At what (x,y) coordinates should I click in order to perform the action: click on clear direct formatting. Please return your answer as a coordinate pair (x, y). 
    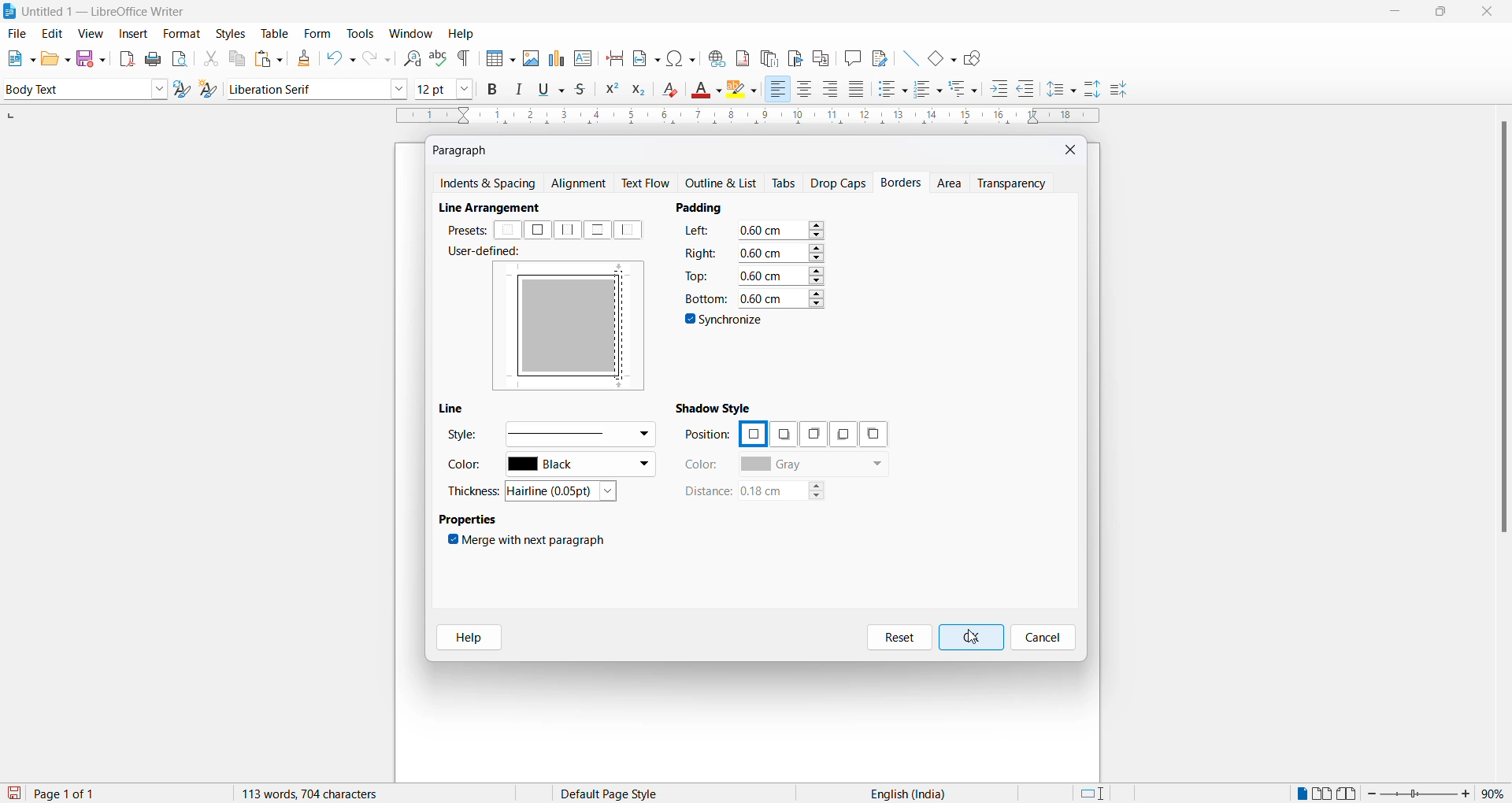
    Looking at the image, I should click on (674, 91).